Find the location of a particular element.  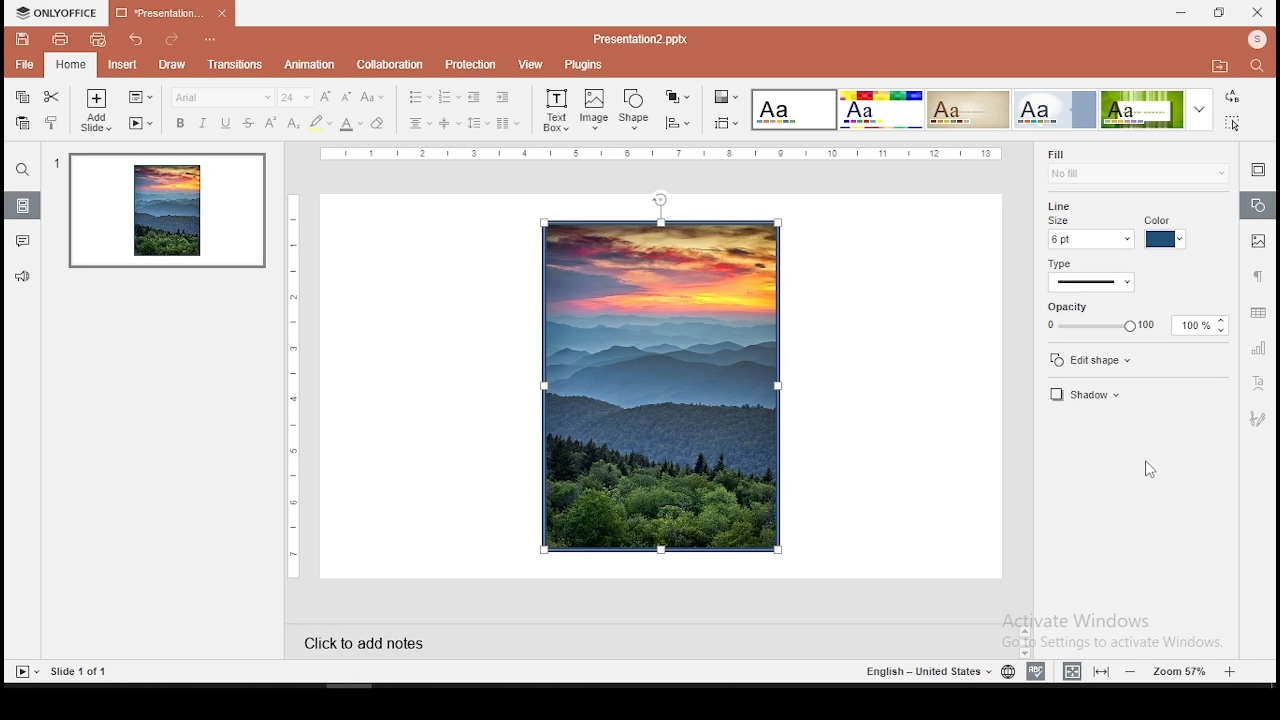

icon is located at coordinates (55, 12).